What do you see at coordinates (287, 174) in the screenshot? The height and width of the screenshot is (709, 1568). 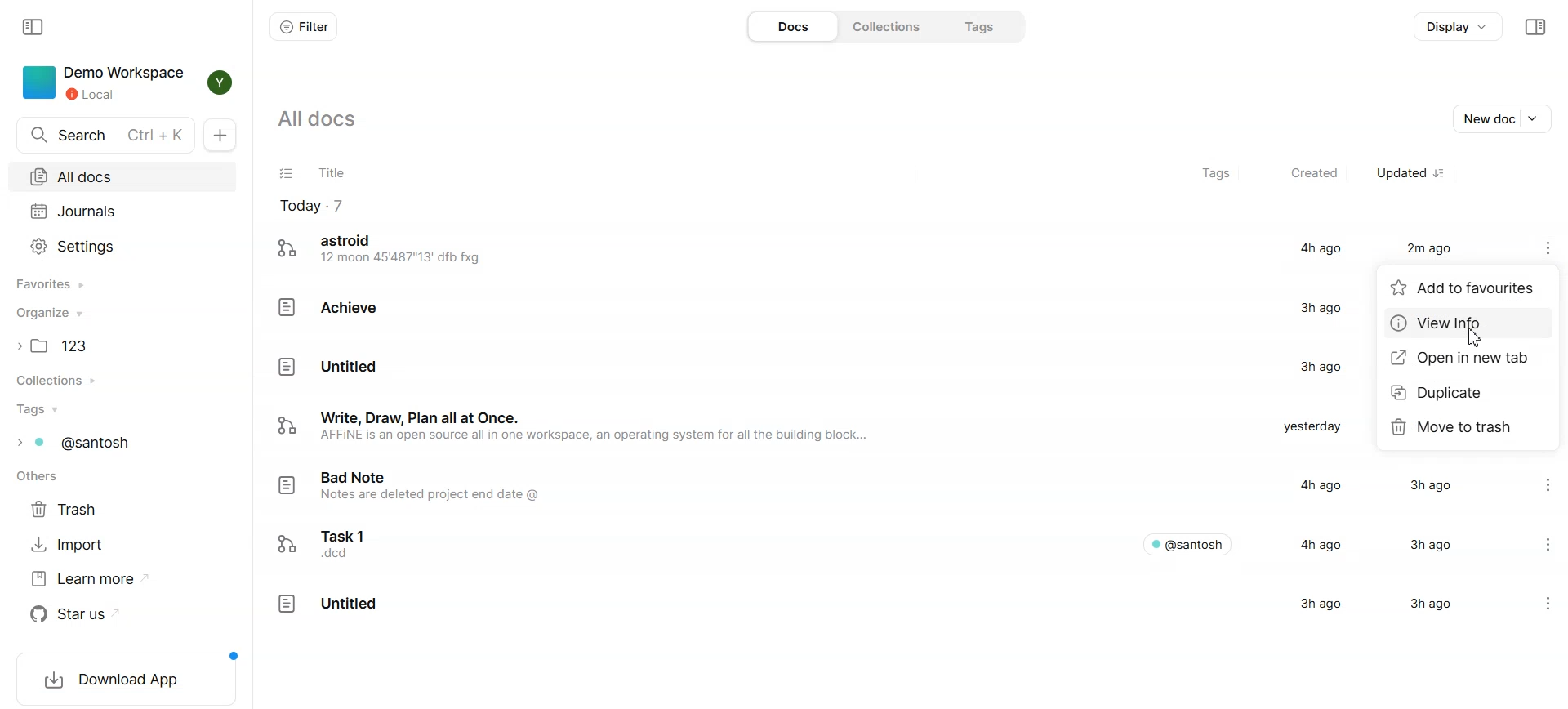 I see `Checklist` at bounding box center [287, 174].